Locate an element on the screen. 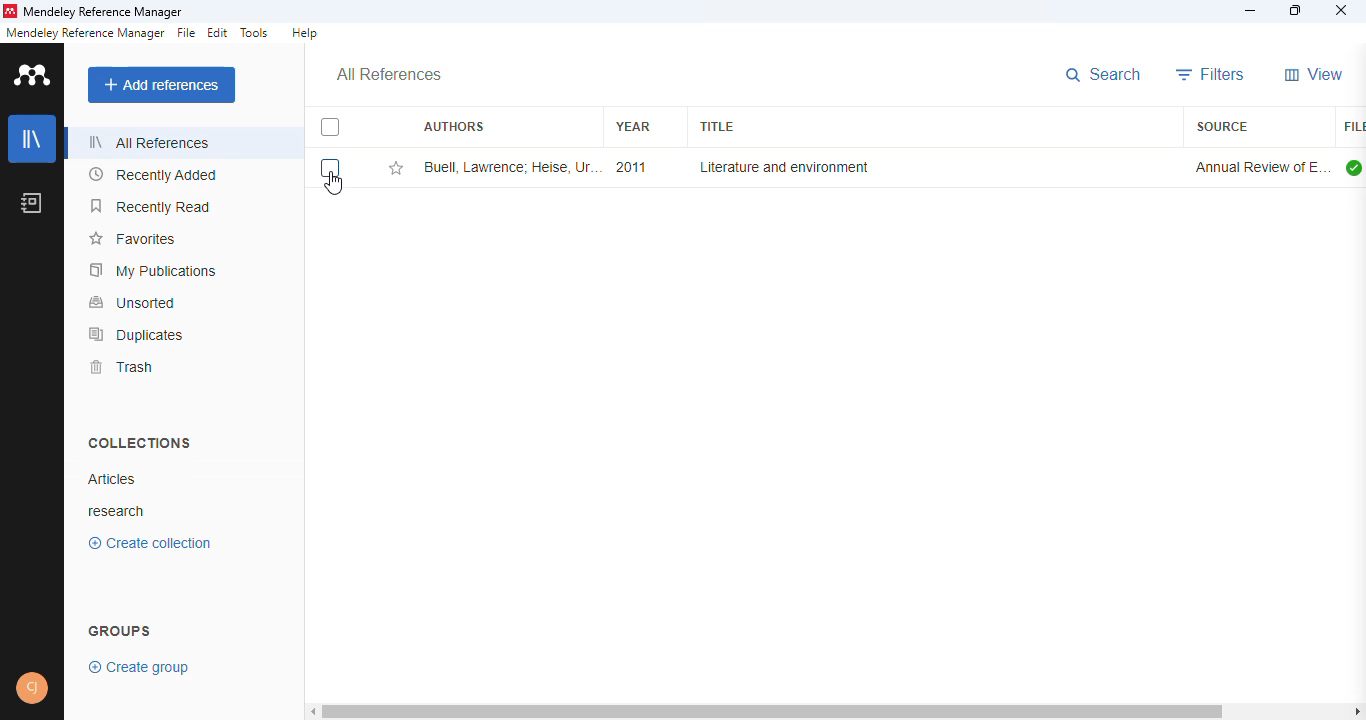 Image resolution: width=1366 pixels, height=720 pixels. filters is located at coordinates (1211, 74).